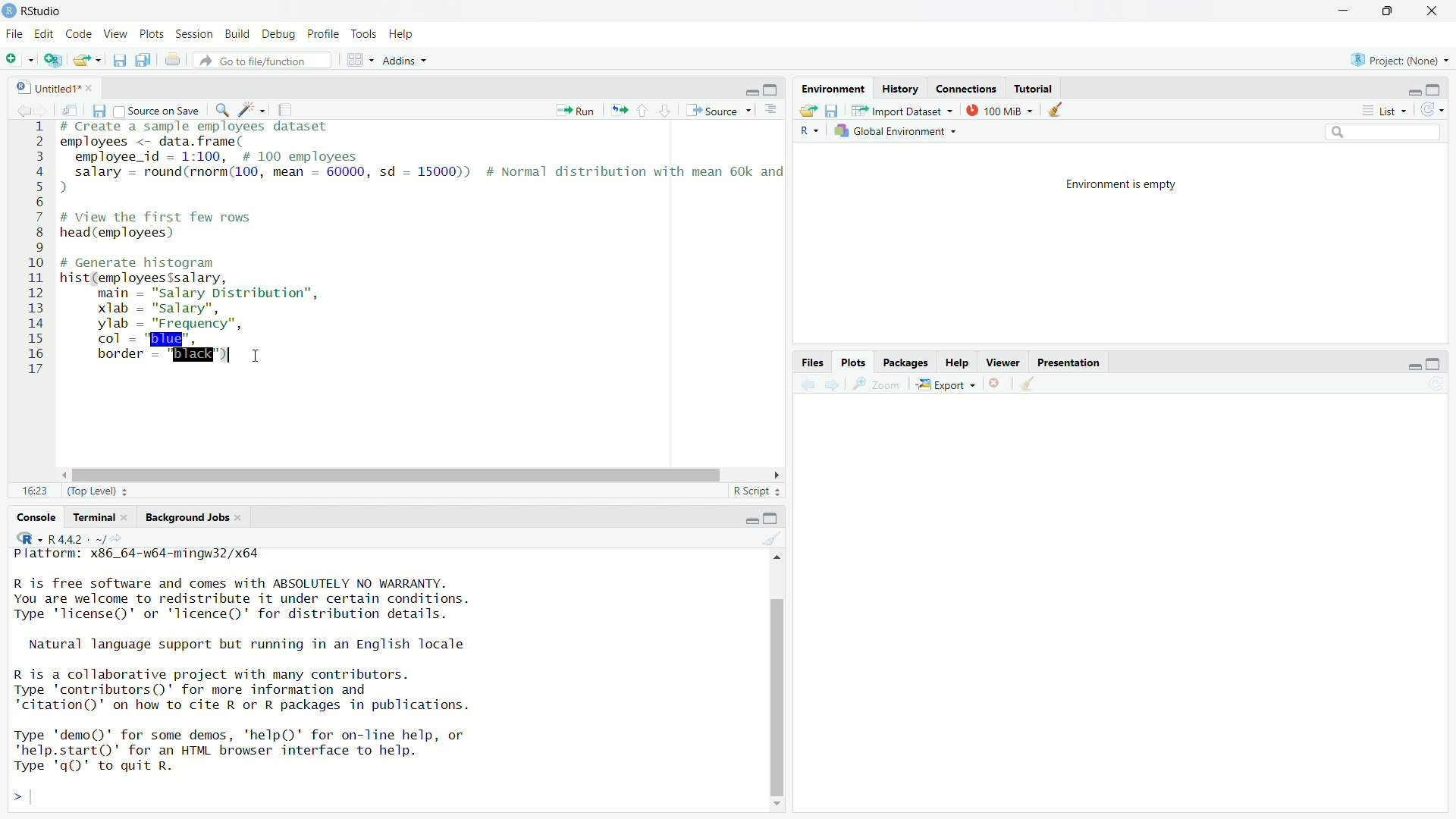 This screenshot has width=1456, height=819. I want to click on Project (none), so click(1400, 60).